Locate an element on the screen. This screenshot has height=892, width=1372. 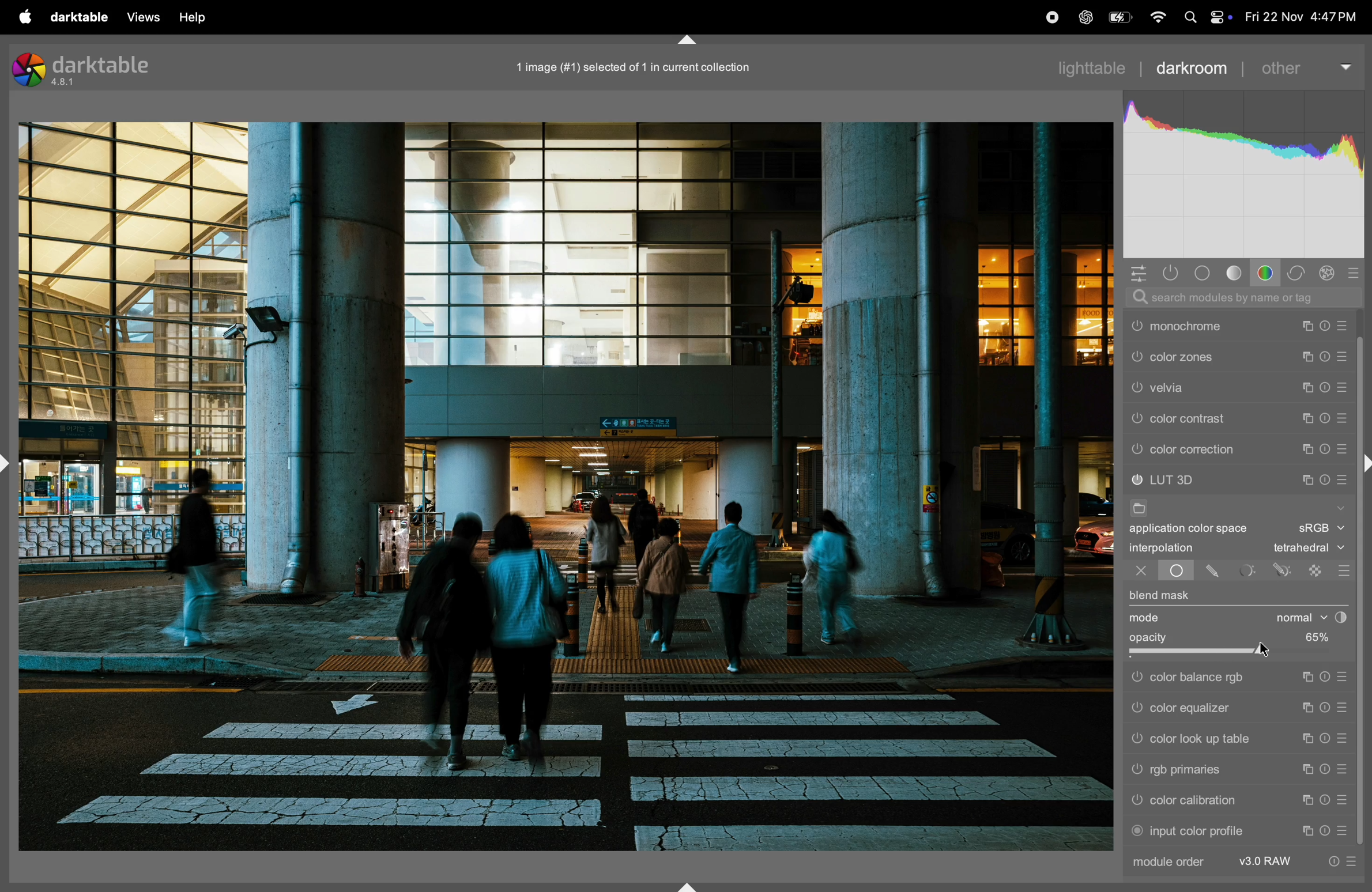
0% is located at coordinates (1310, 636).